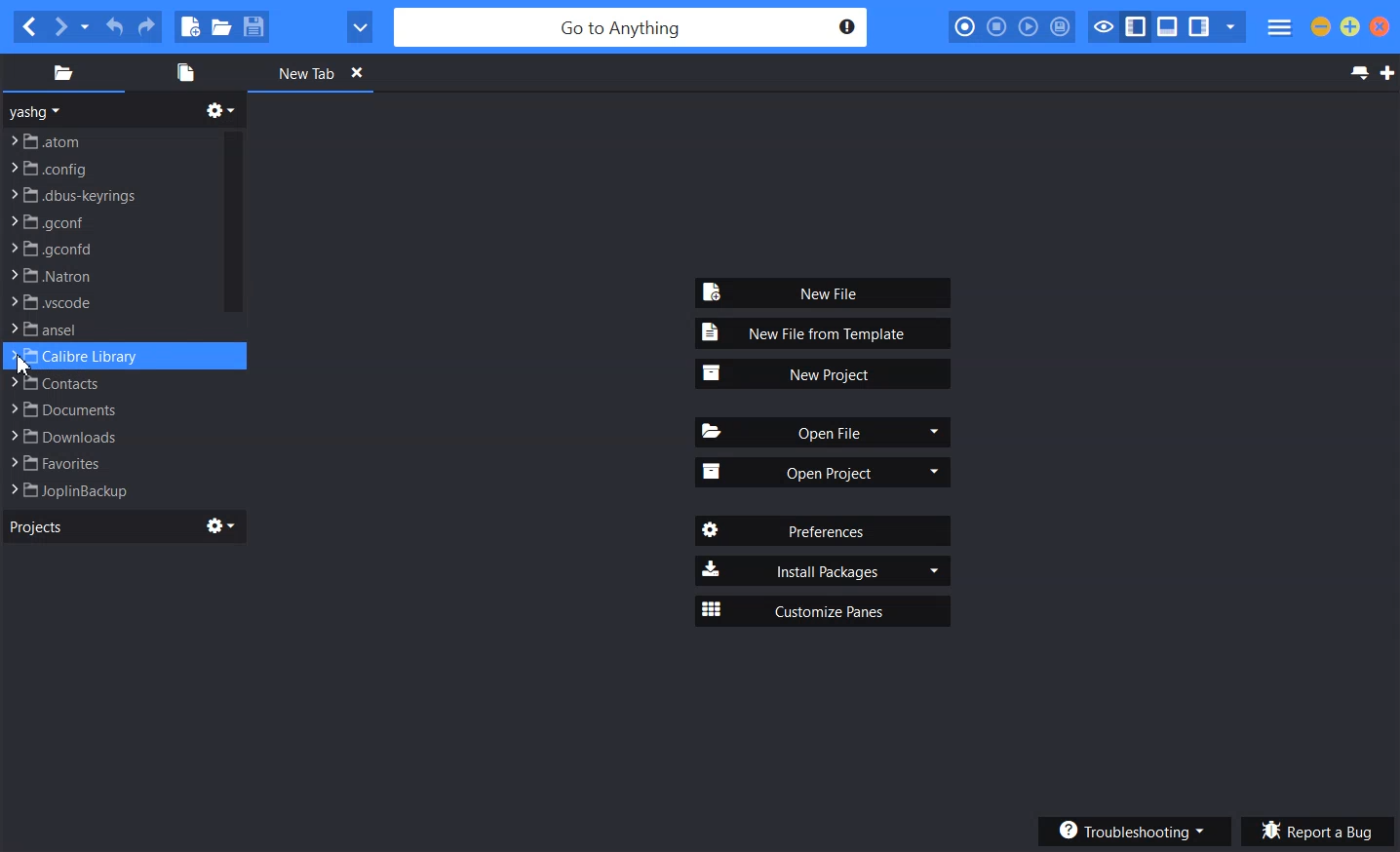 Image resolution: width=1400 pixels, height=852 pixels. What do you see at coordinates (996, 27) in the screenshot?
I see `Stop recording macro` at bounding box center [996, 27].